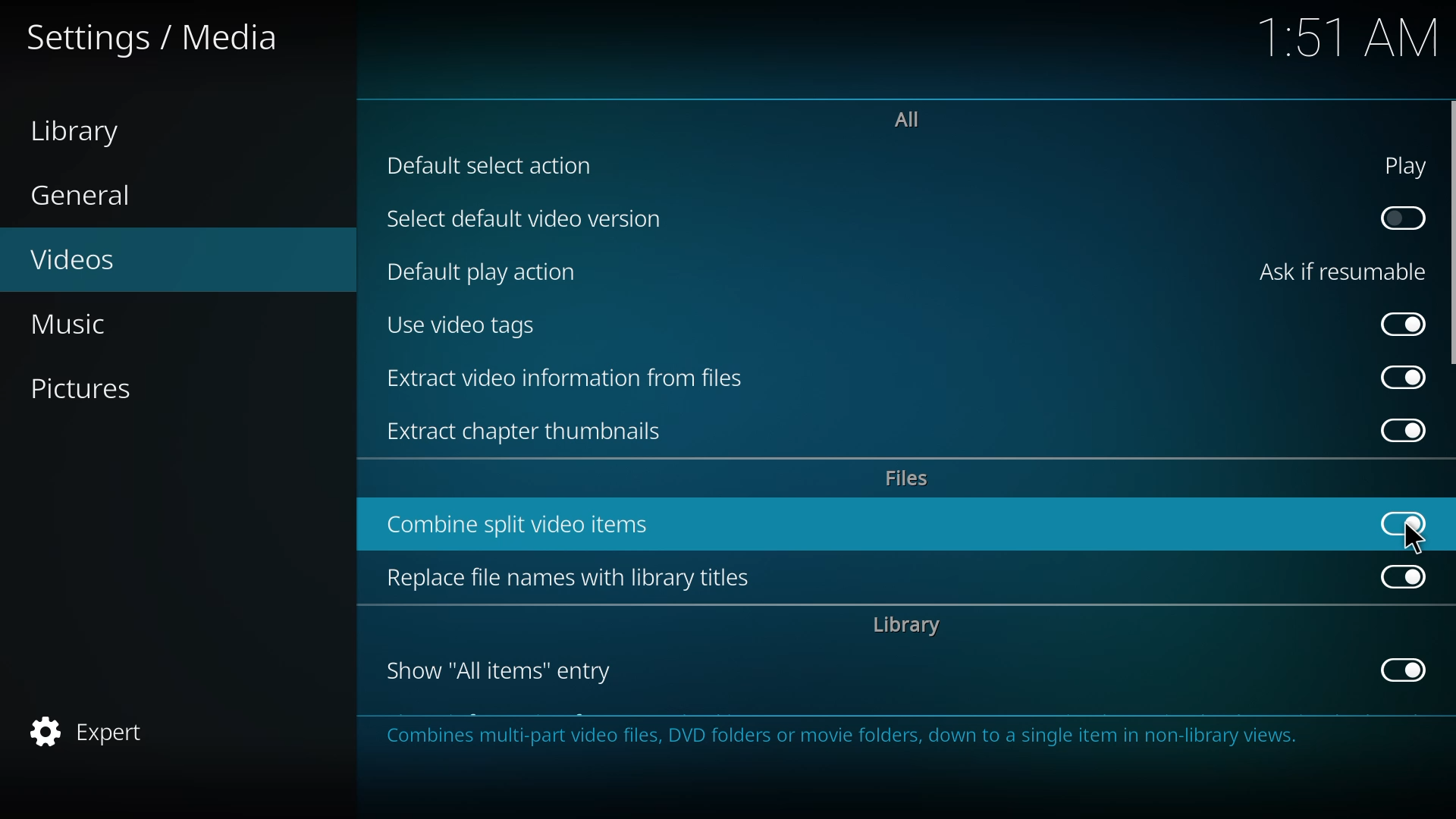  What do you see at coordinates (1414, 541) in the screenshot?
I see `cursor` at bounding box center [1414, 541].